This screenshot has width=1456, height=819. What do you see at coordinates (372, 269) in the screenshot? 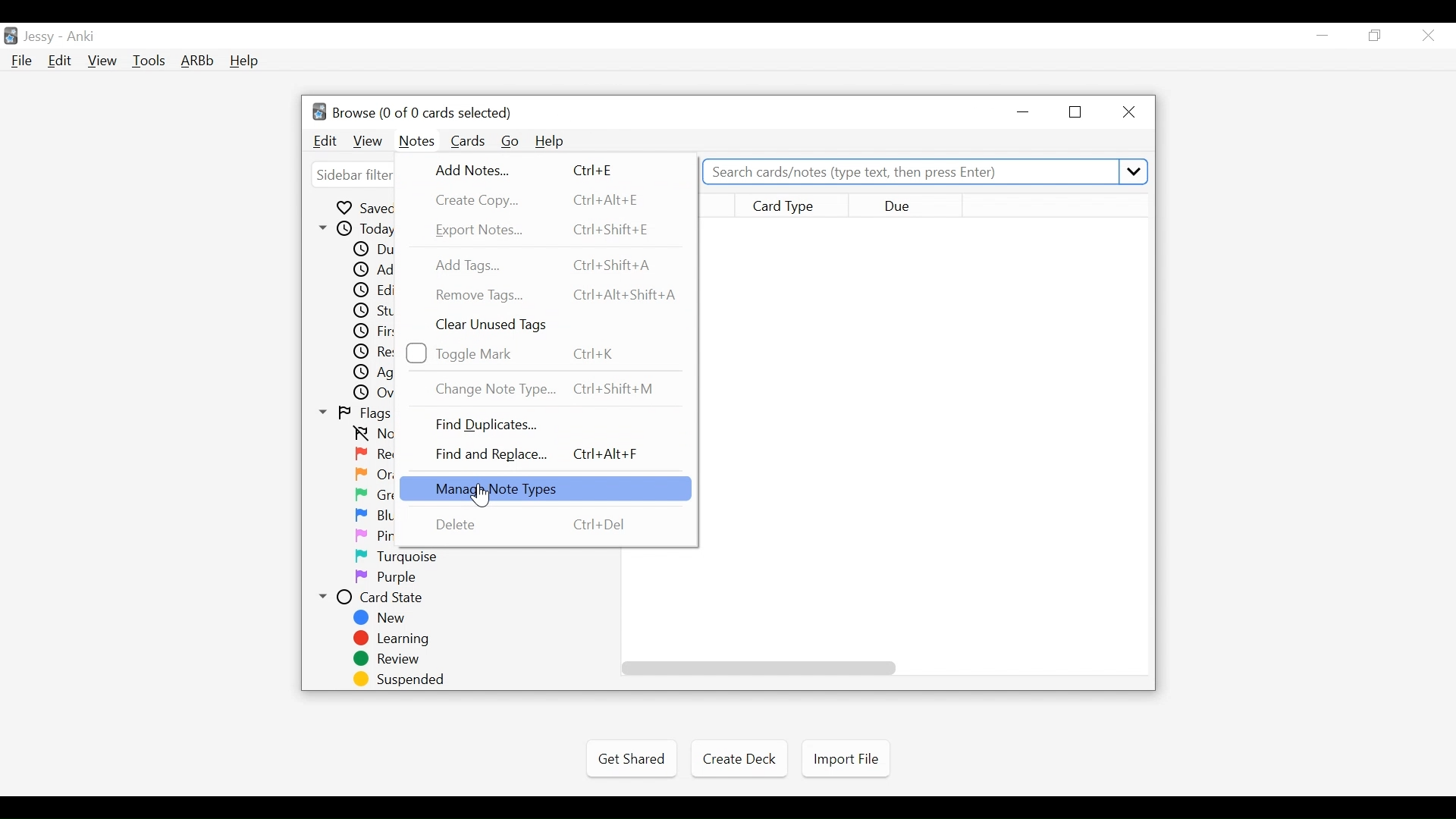
I see `Added` at bounding box center [372, 269].